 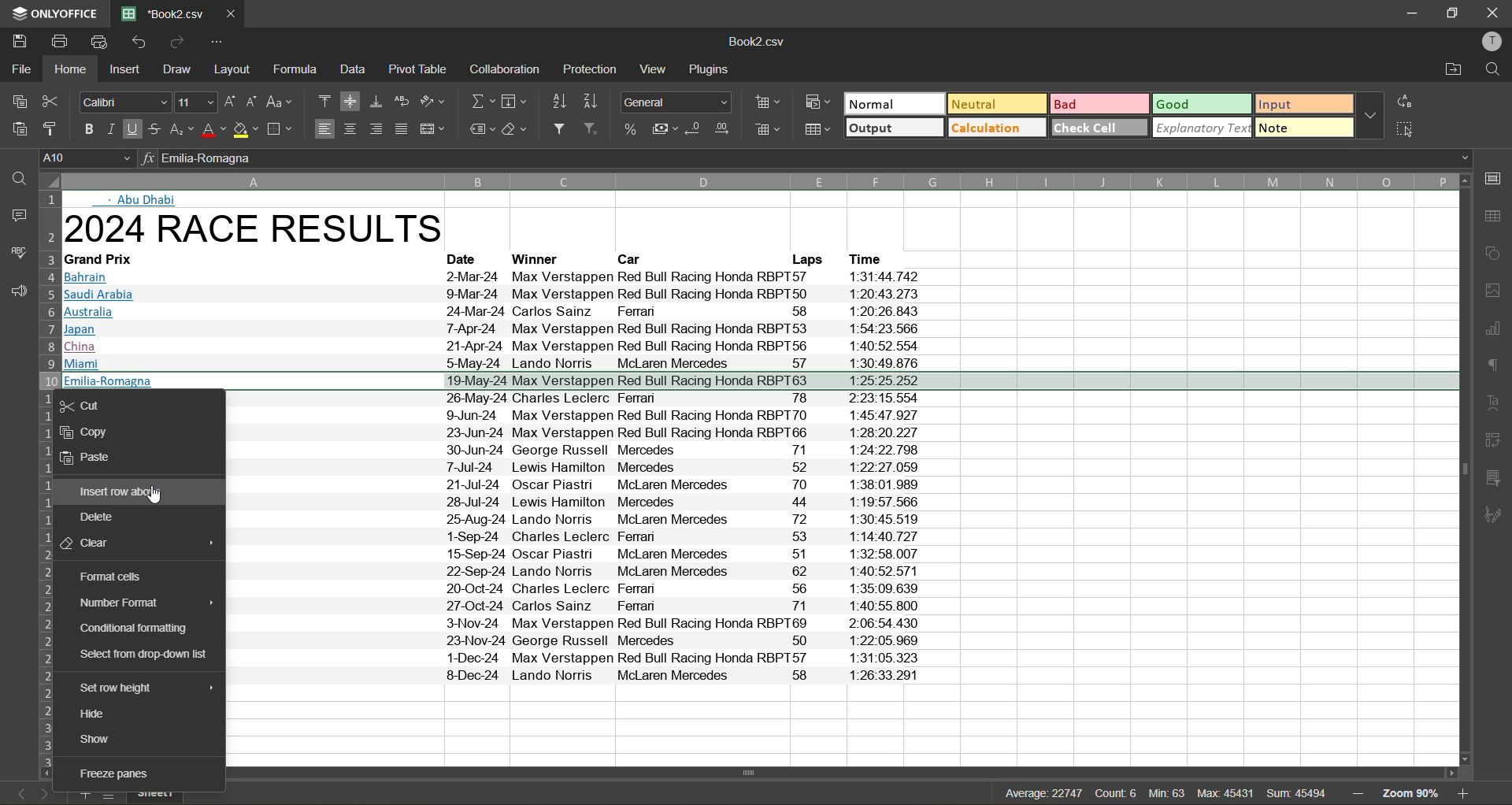 What do you see at coordinates (417, 69) in the screenshot?
I see `pivot table` at bounding box center [417, 69].